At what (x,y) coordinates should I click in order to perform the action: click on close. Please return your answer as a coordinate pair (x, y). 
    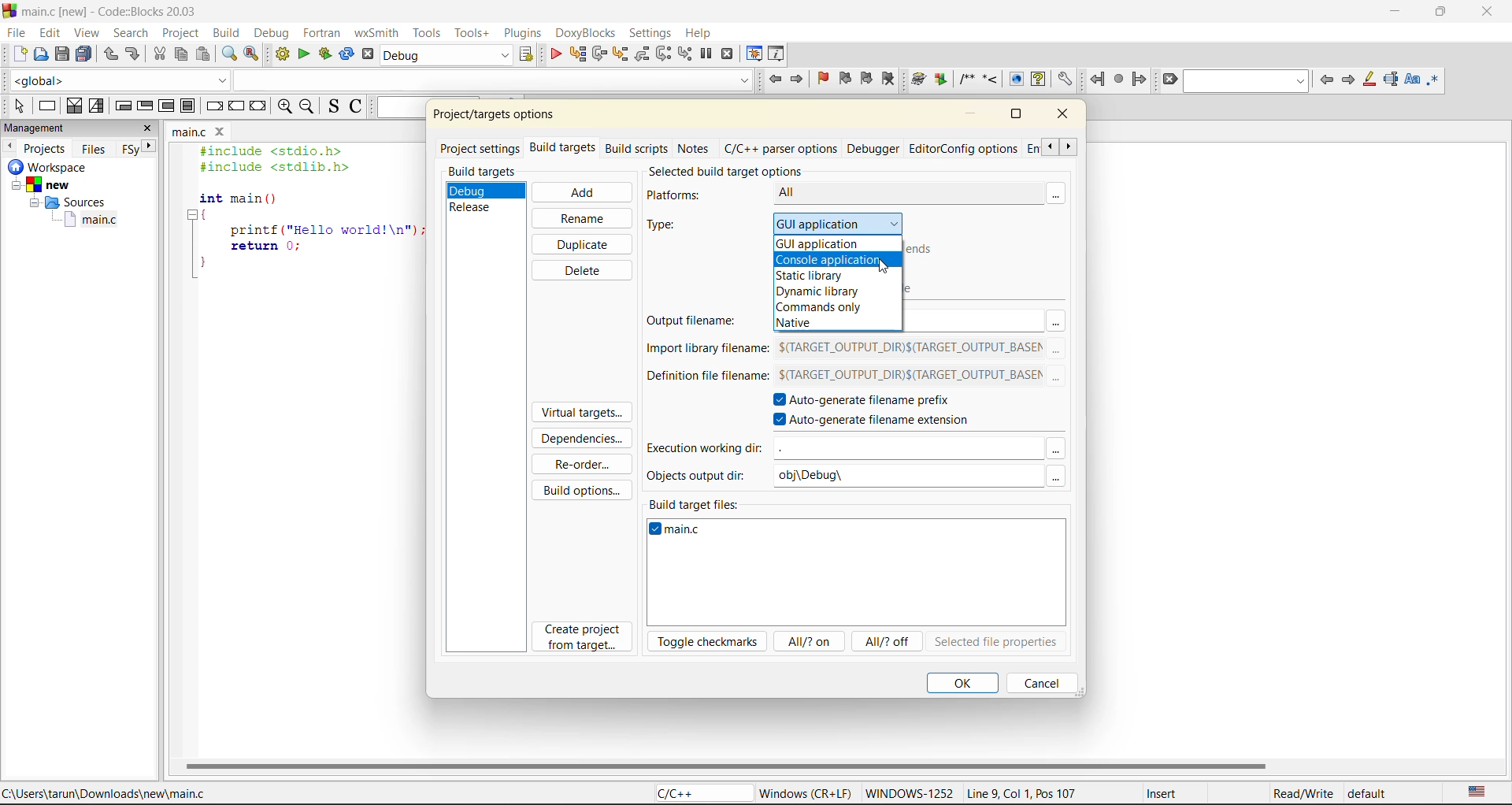
    Looking at the image, I should click on (150, 128).